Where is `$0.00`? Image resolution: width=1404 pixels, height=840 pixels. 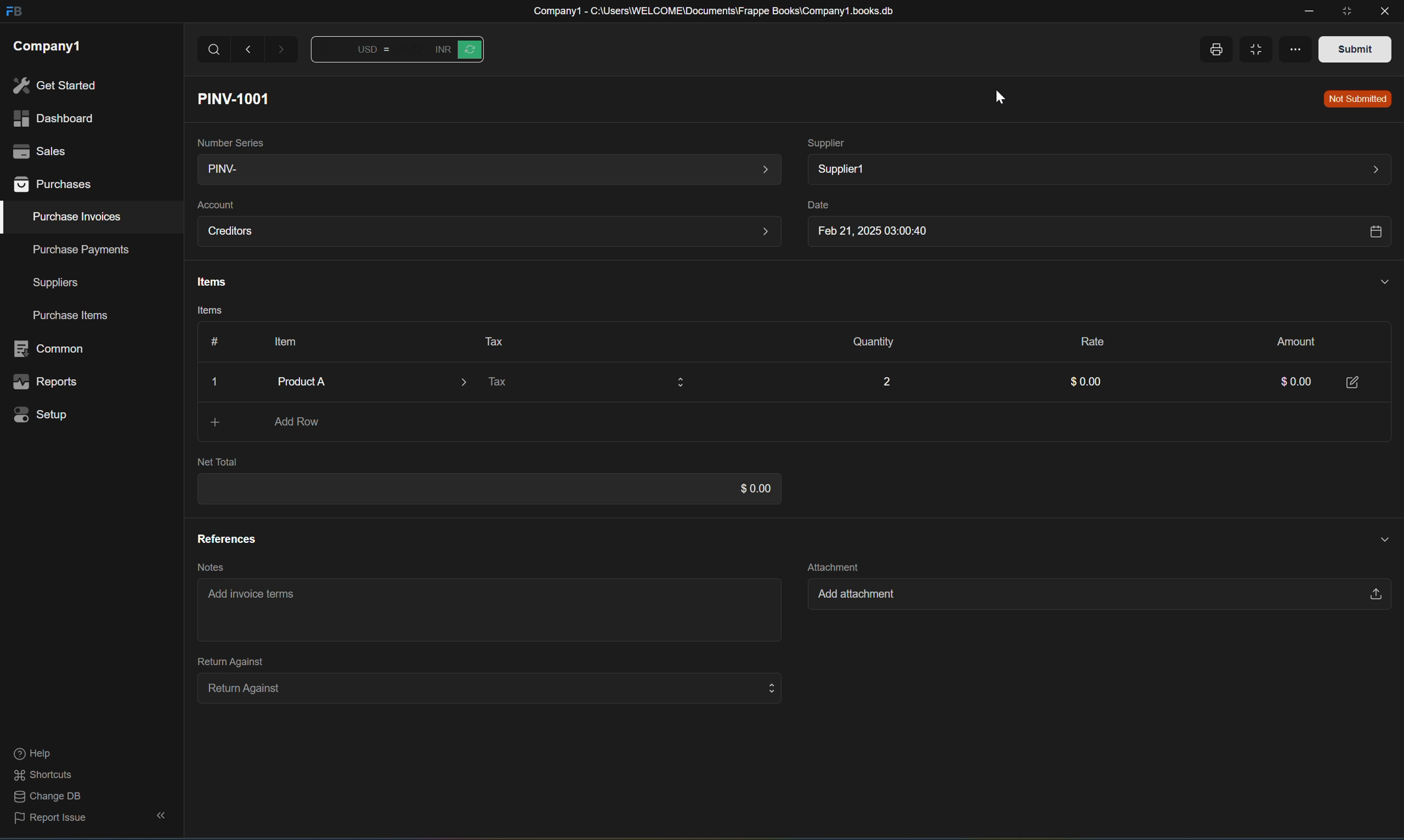
$0.00 is located at coordinates (1082, 383).